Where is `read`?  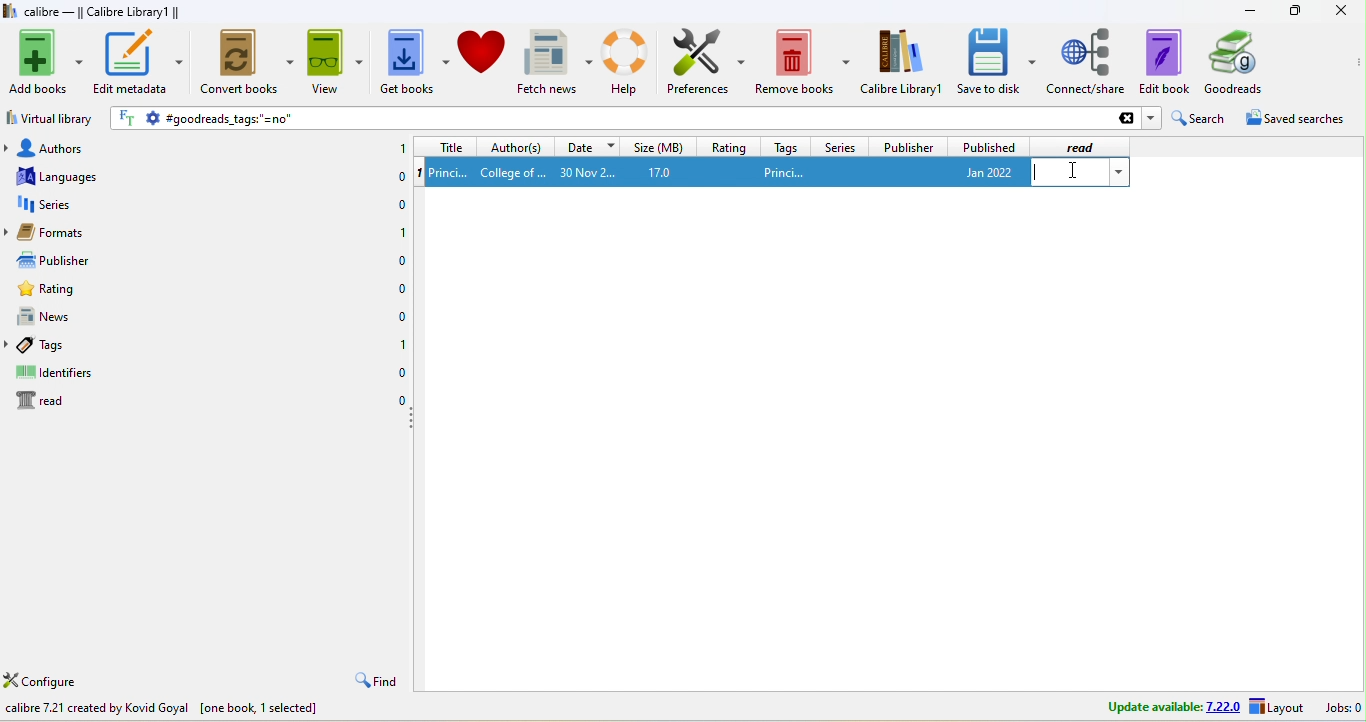 read is located at coordinates (44, 401).